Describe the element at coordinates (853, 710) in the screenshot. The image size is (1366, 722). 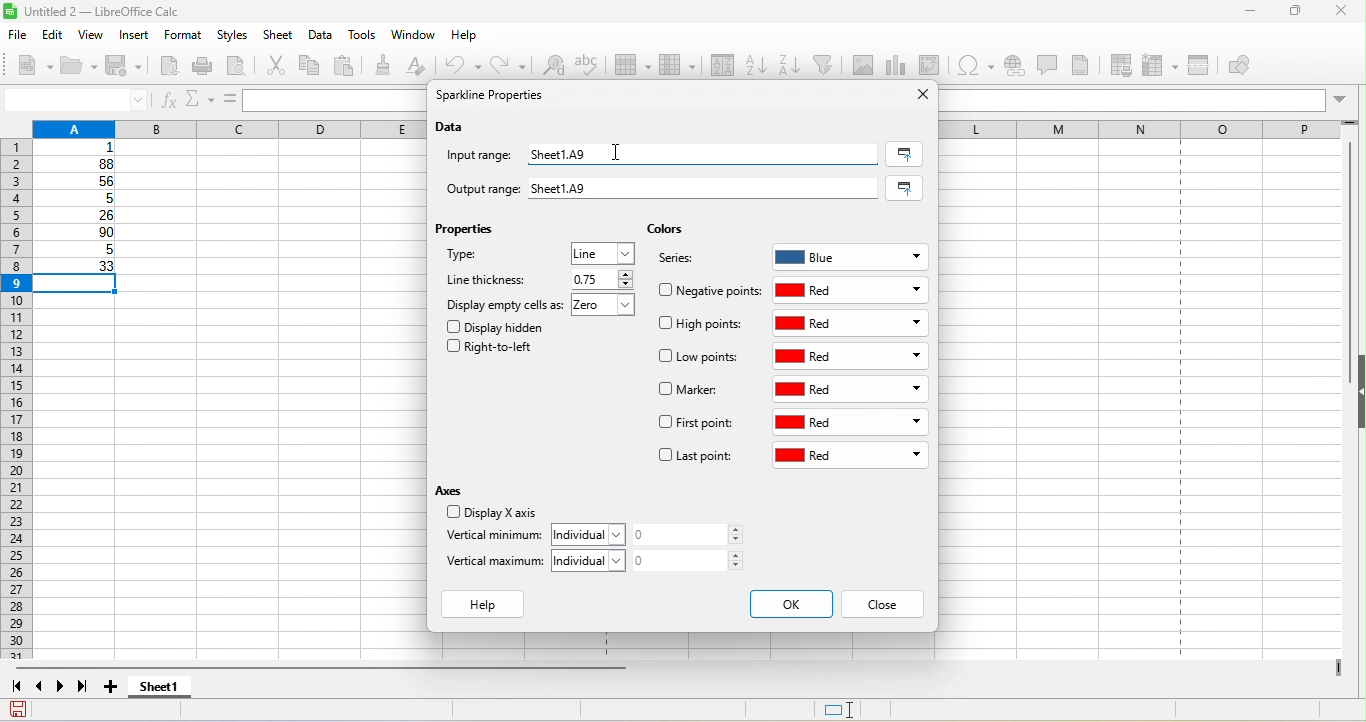
I see `standard selection` at that location.